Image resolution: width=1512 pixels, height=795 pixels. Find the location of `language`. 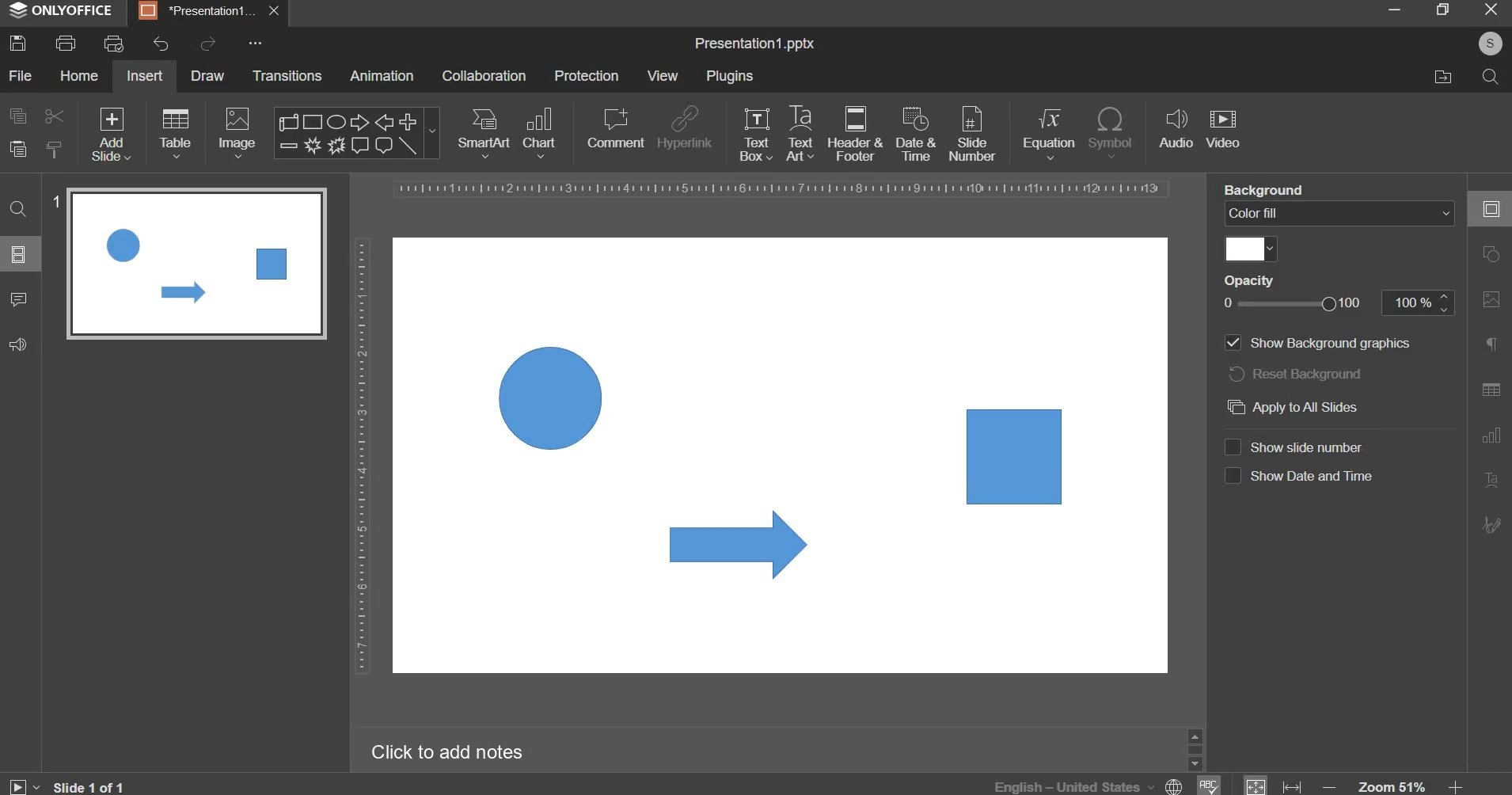

language is located at coordinates (1091, 786).